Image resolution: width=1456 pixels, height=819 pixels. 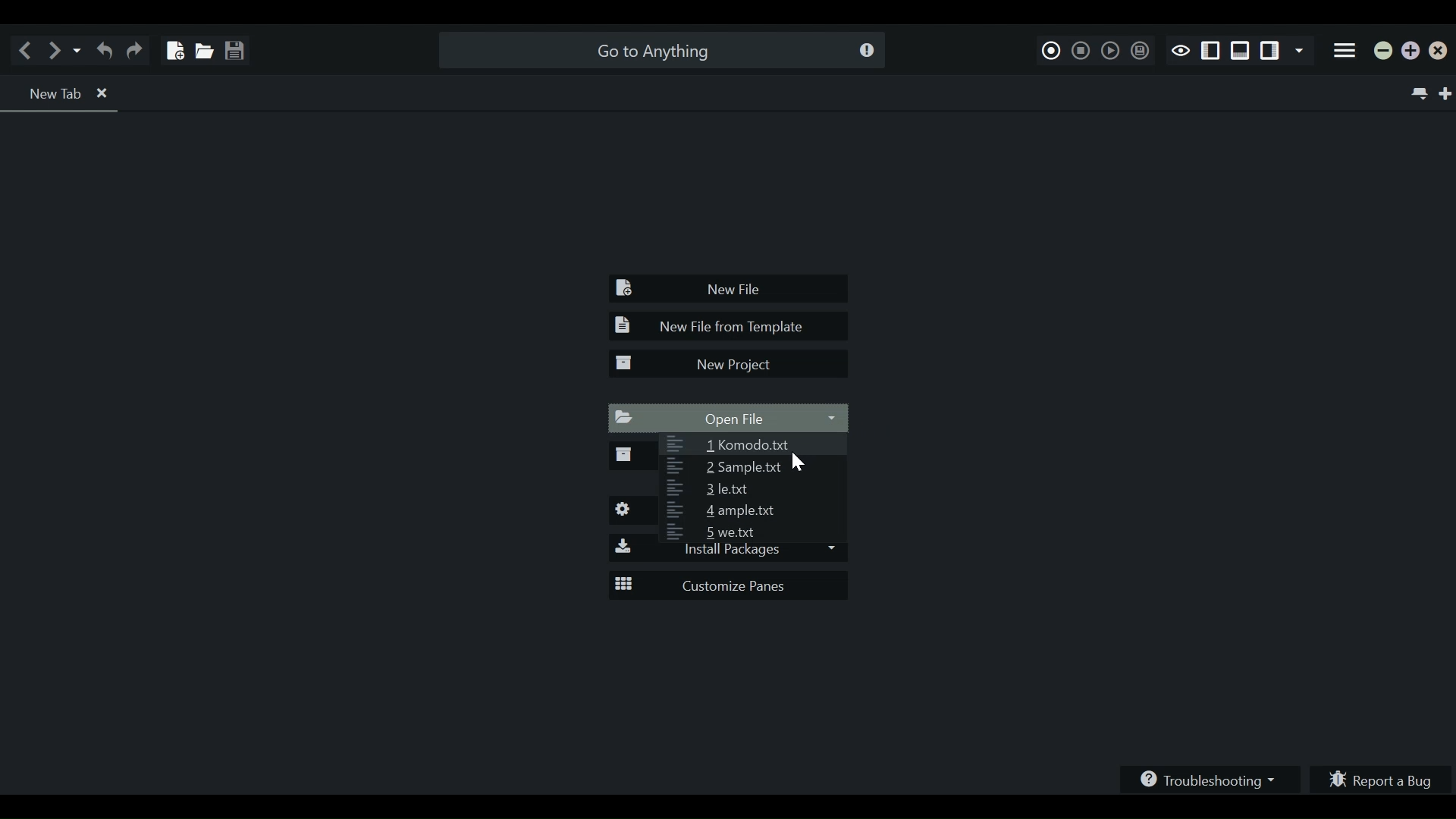 What do you see at coordinates (1239, 52) in the screenshot?
I see `Show/Hide Pane Below` at bounding box center [1239, 52].